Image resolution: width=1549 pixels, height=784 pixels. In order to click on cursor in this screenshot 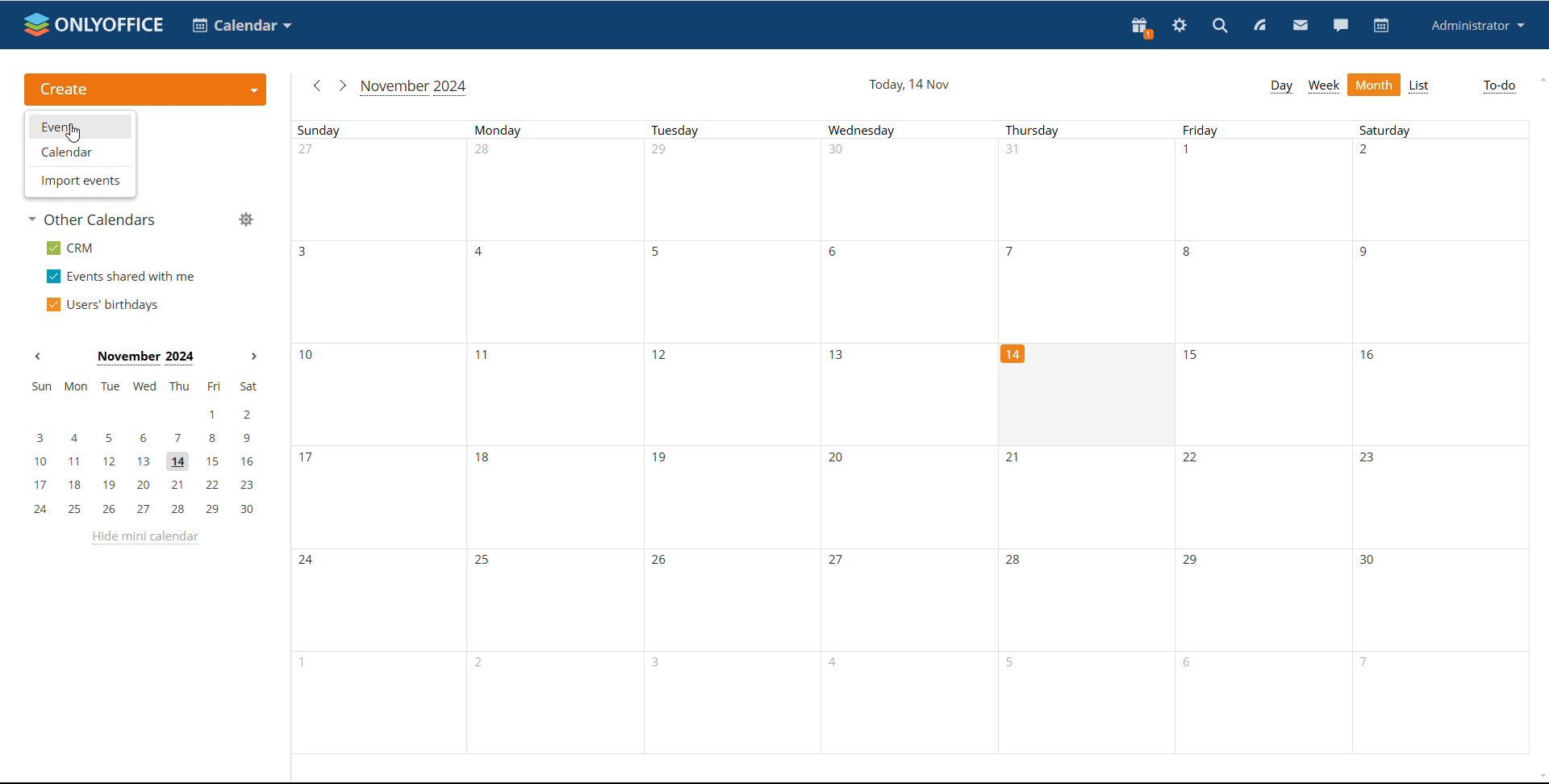, I will do `click(72, 133)`.